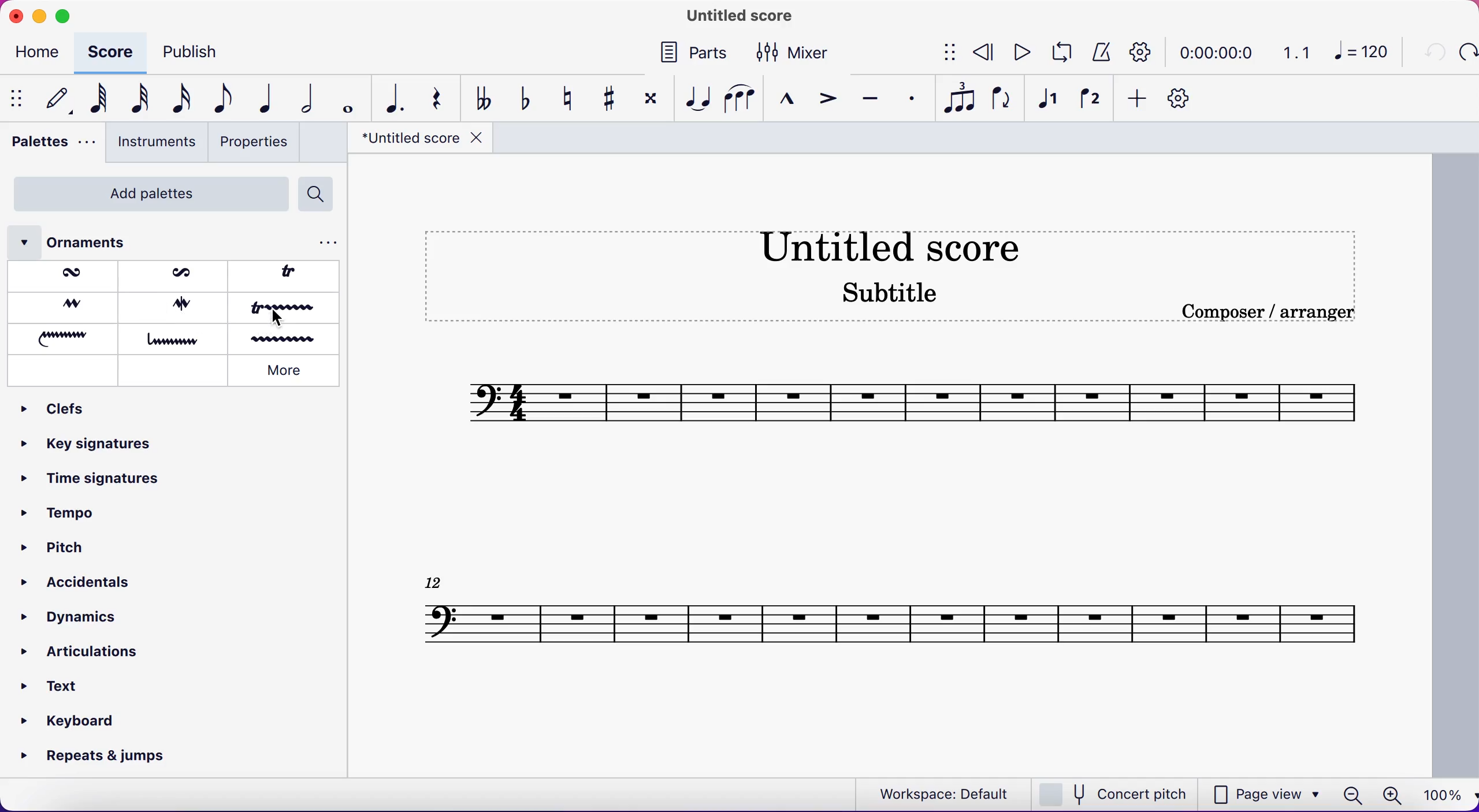 This screenshot has width=1479, height=812. What do you see at coordinates (1281, 312) in the screenshot?
I see `Composer / arranger` at bounding box center [1281, 312].